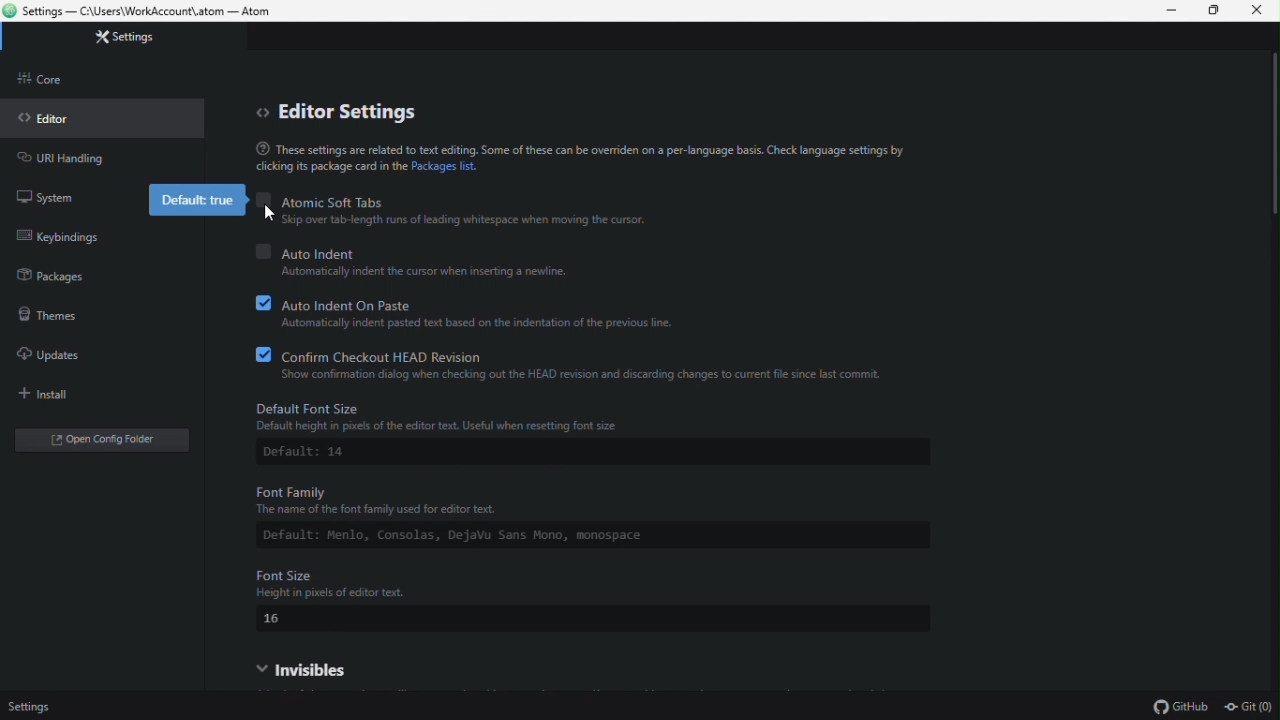 This screenshot has height=720, width=1280. What do you see at coordinates (342, 200) in the screenshot?
I see `Atomic Soft Tabs` at bounding box center [342, 200].